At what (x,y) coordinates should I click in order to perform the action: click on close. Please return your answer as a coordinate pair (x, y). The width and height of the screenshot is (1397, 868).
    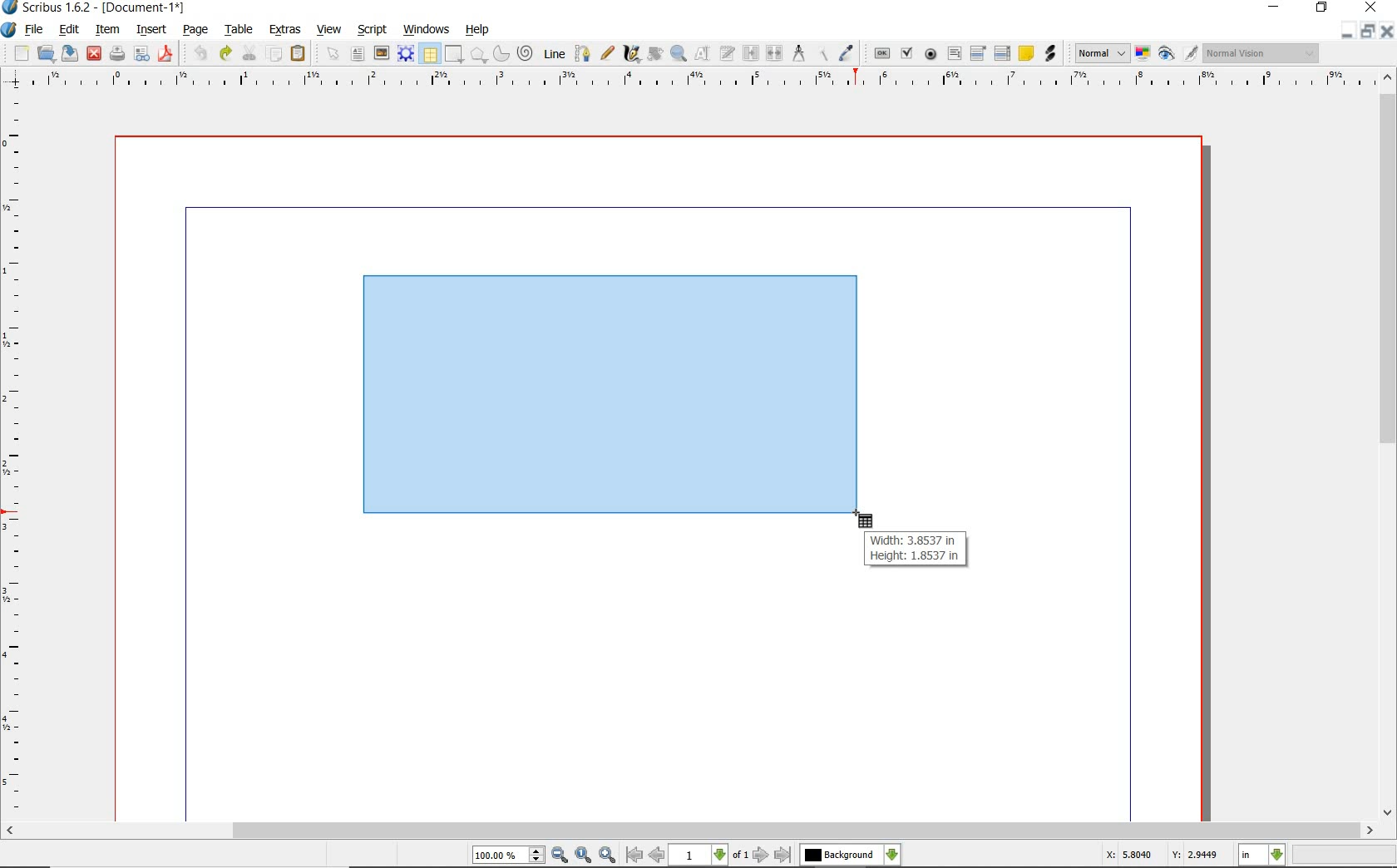
    Looking at the image, I should click on (1386, 32).